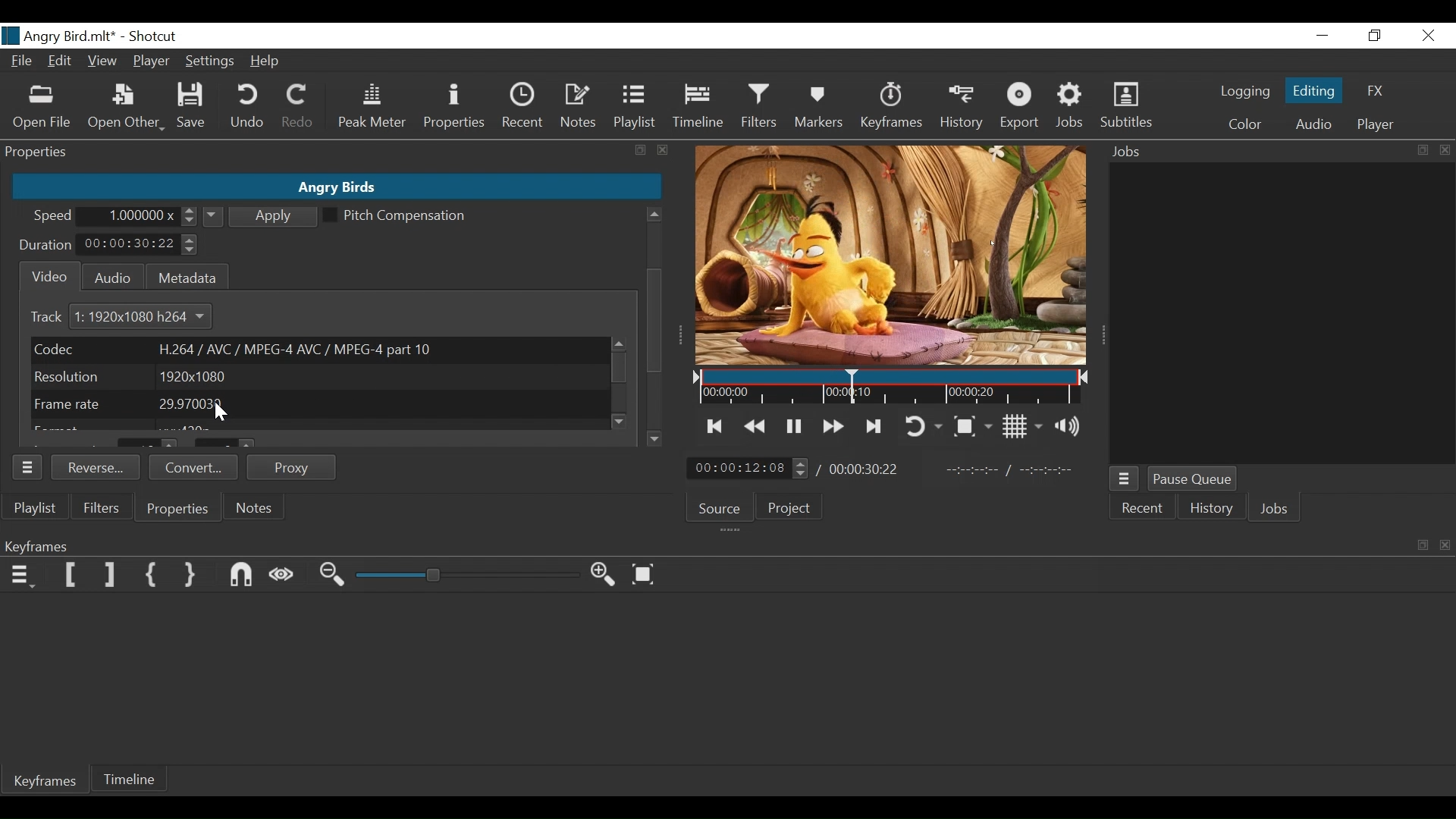 Image resolution: width=1456 pixels, height=819 pixels. What do you see at coordinates (40, 108) in the screenshot?
I see `Open File` at bounding box center [40, 108].